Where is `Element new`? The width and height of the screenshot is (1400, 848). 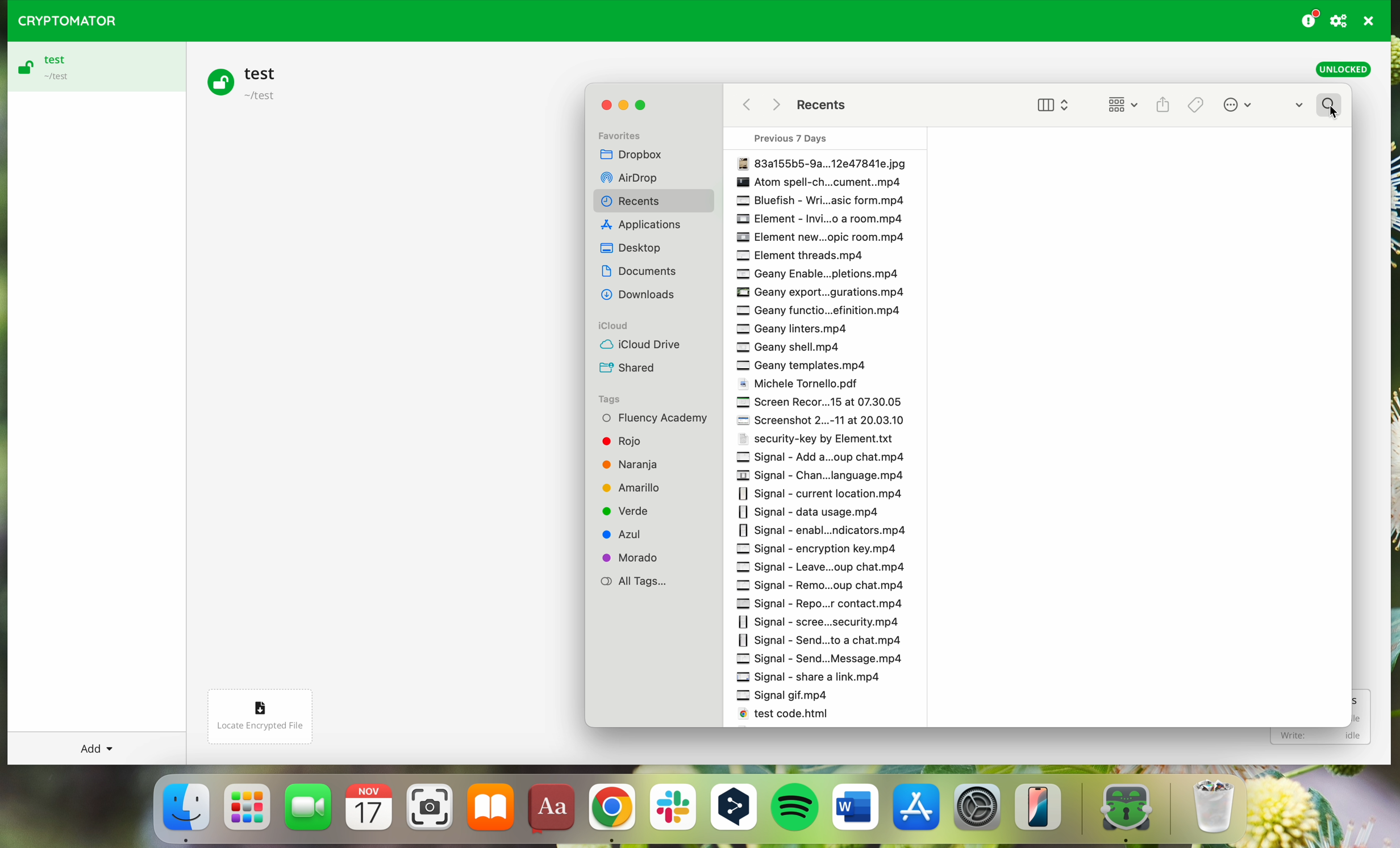 Element new is located at coordinates (821, 237).